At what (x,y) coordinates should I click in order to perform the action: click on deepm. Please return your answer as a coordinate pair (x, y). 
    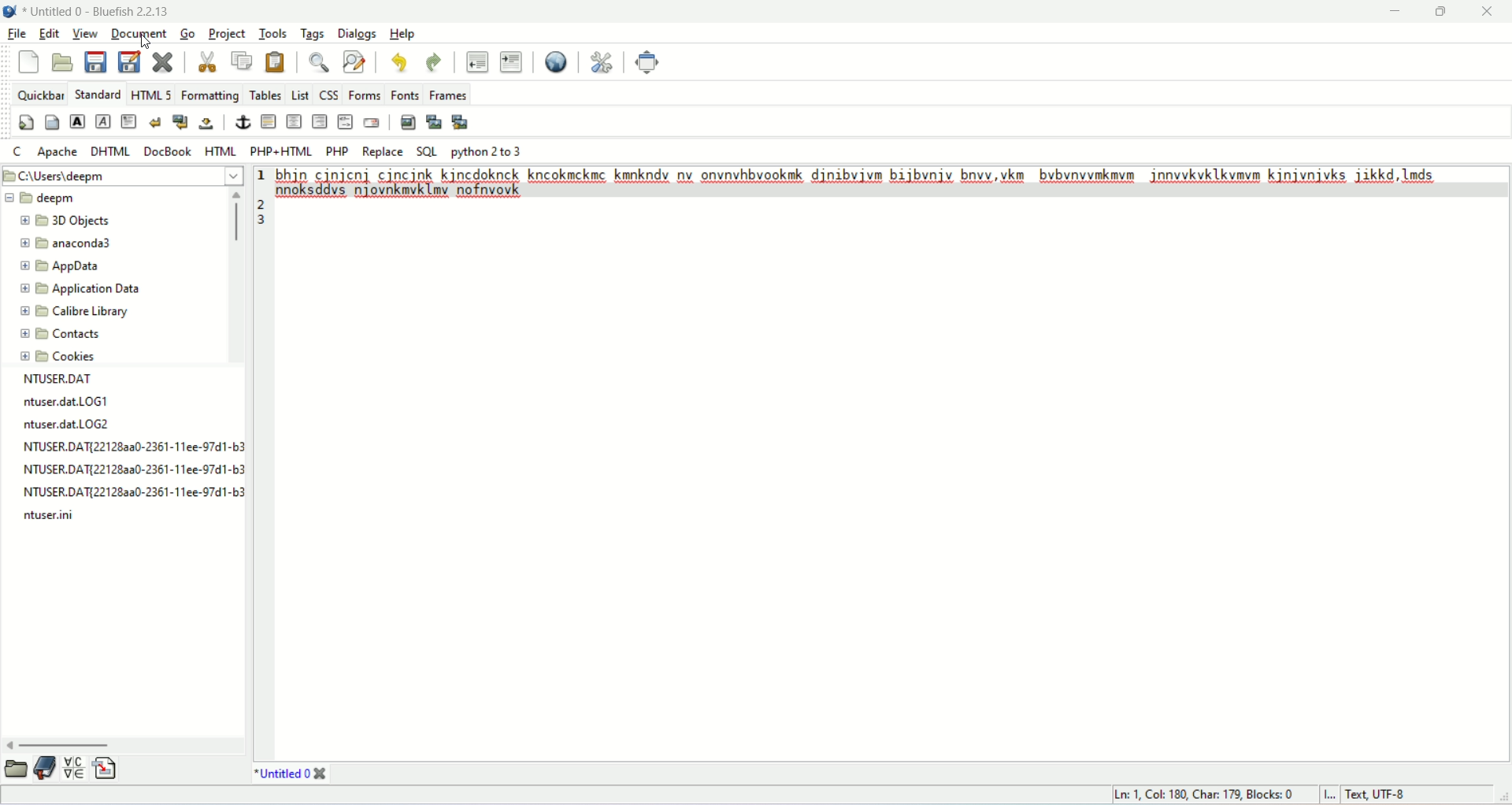
    Looking at the image, I should click on (52, 198).